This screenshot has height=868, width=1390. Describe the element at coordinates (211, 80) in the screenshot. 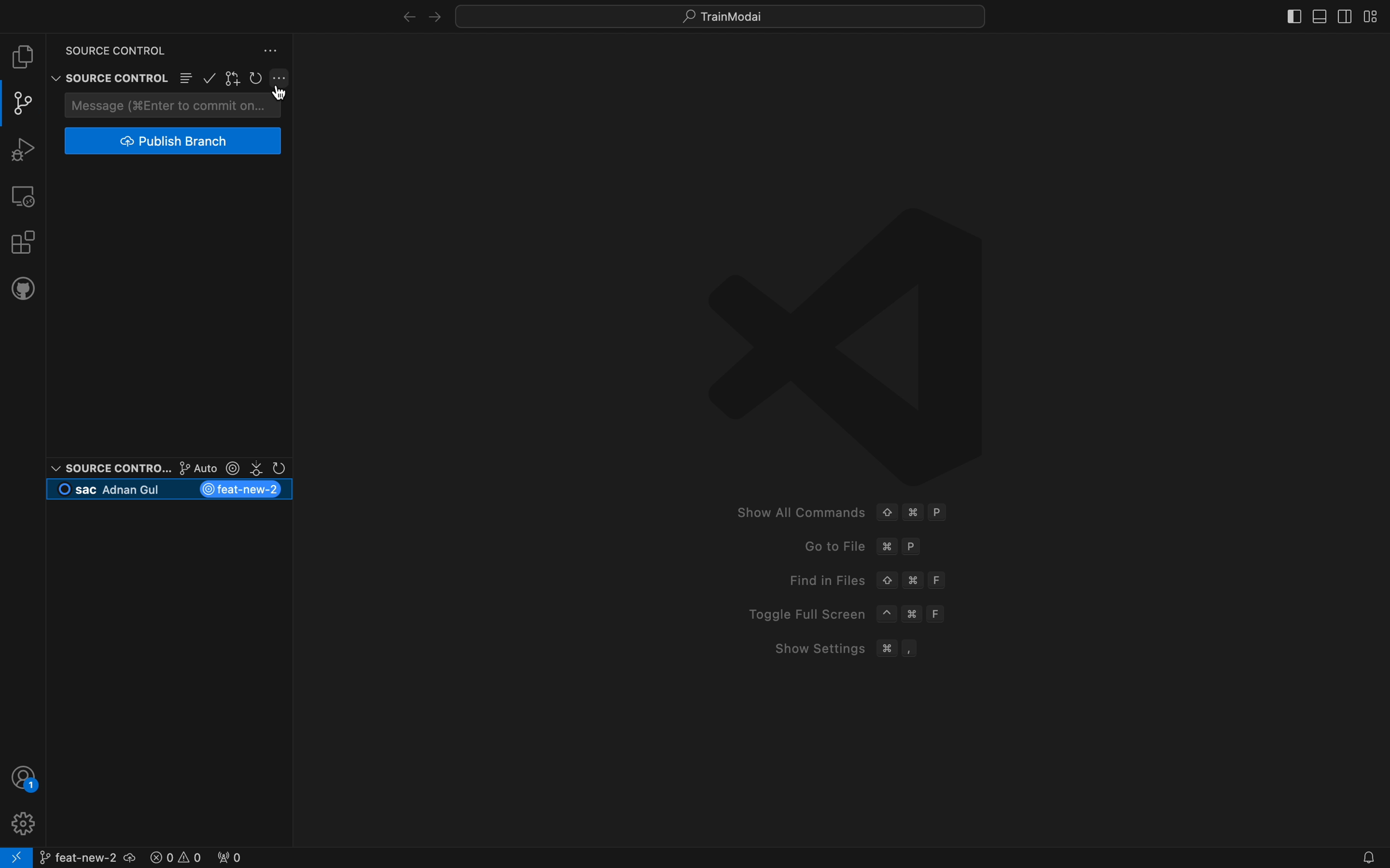

I see `confirm` at that location.